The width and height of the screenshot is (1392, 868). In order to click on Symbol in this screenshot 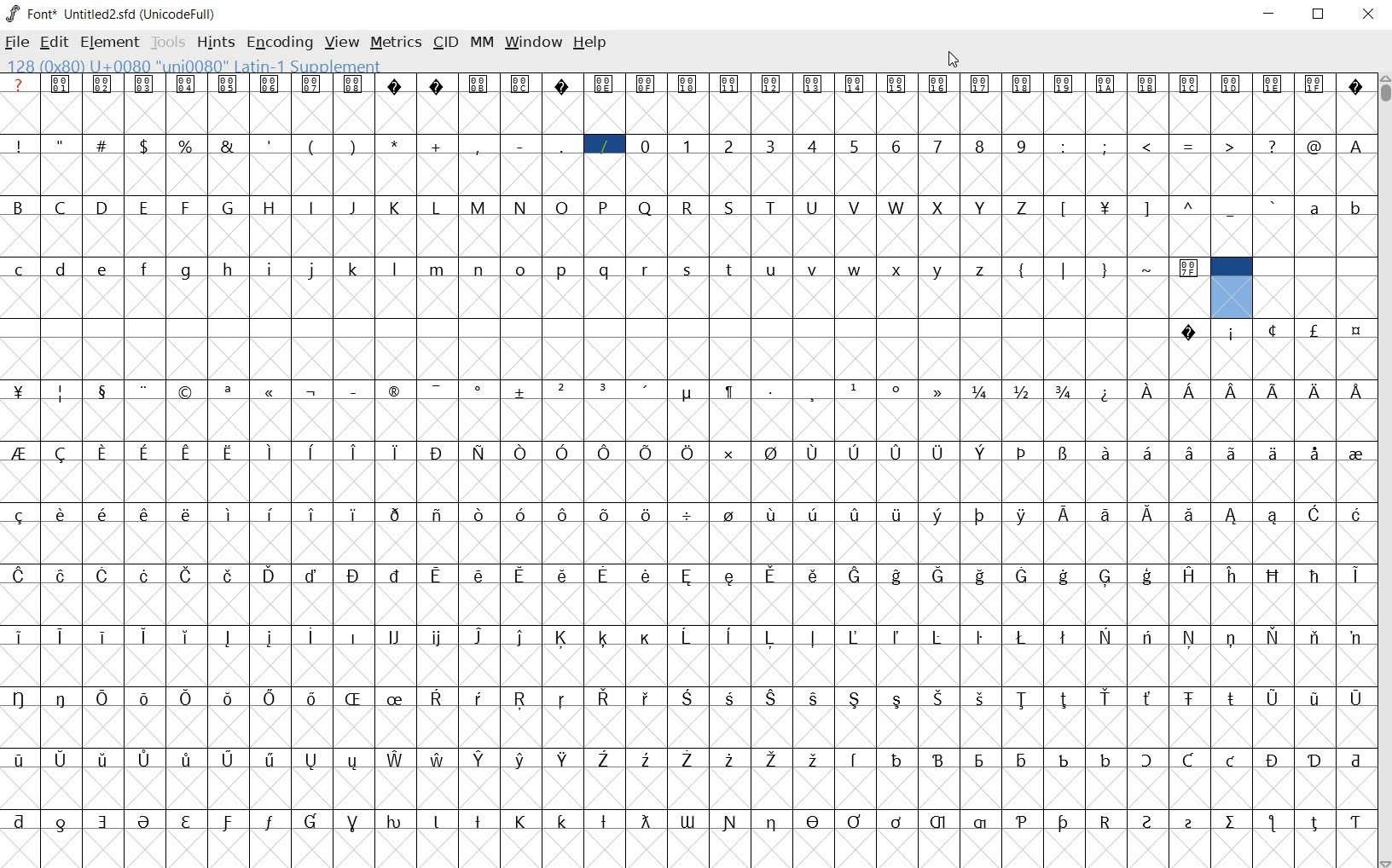, I will do `click(896, 697)`.